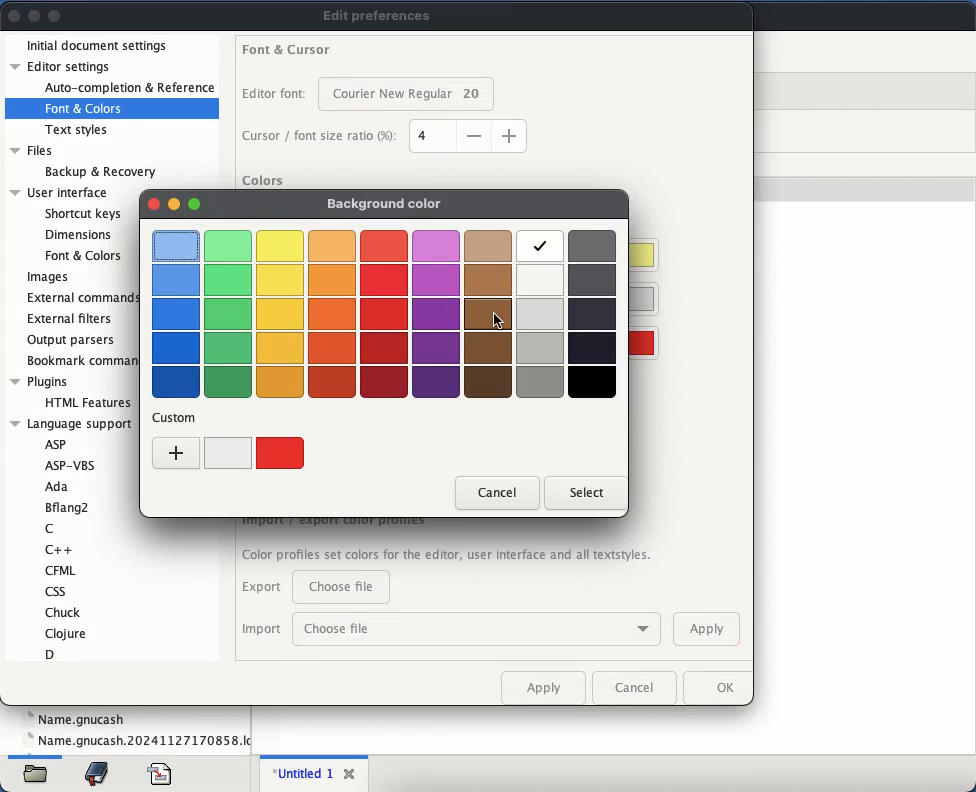  I want to click on apply, so click(707, 630).